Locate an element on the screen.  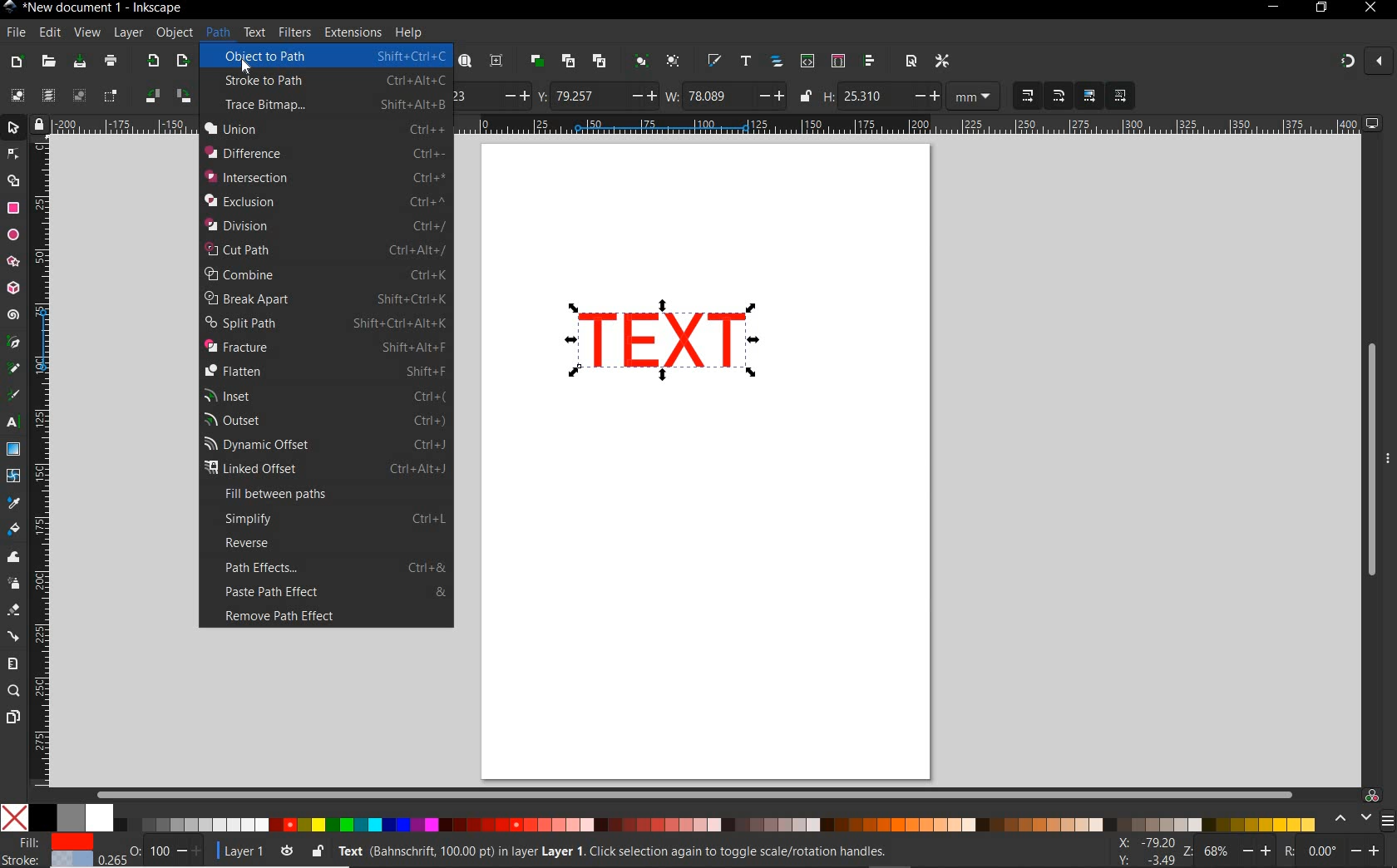
MESH TOOL is located at coordinates (15, 475).